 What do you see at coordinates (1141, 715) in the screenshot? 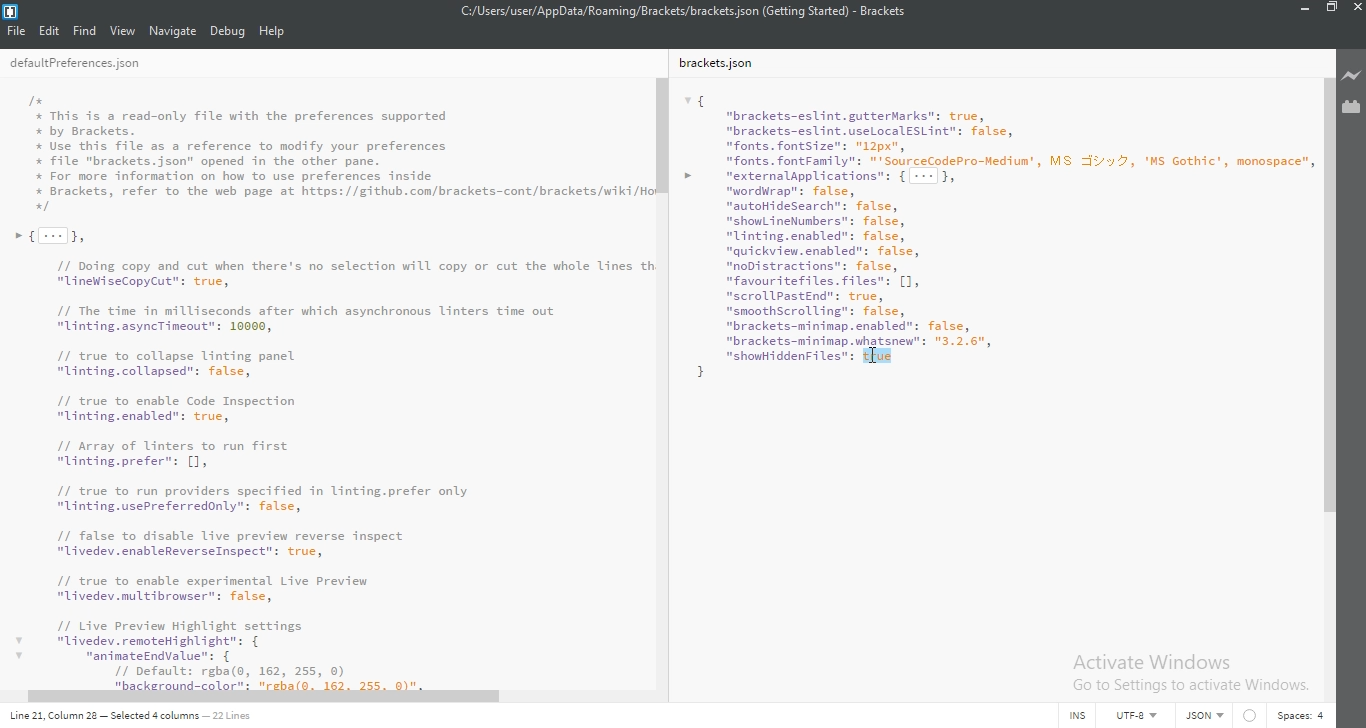
I see `UTF-8` at bounding box center [1141, 715].